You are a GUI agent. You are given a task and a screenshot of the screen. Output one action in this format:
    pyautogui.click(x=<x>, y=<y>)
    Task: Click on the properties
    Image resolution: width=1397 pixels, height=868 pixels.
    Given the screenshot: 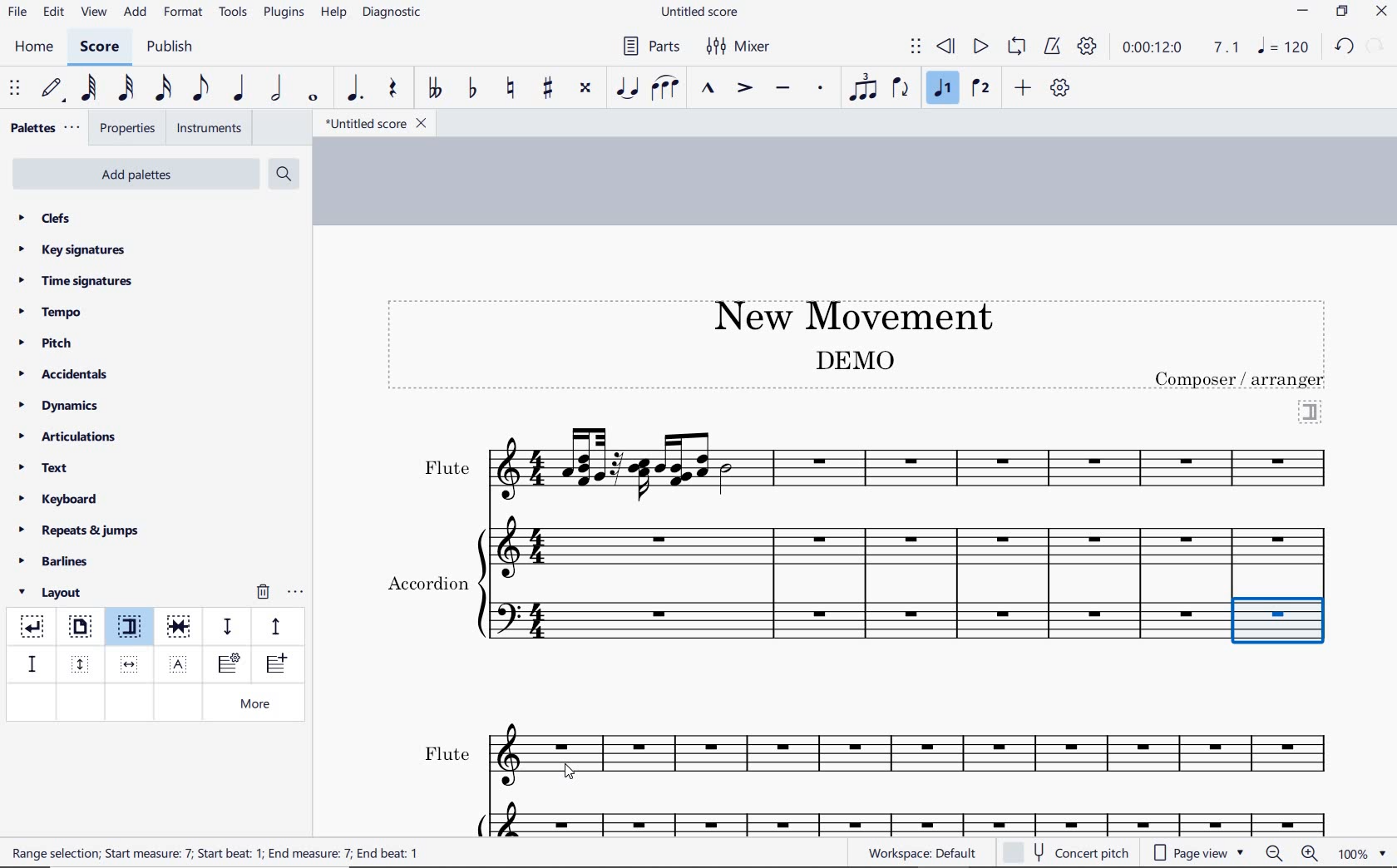 What is the action you would take?
    pyautogui.click(x=129, y=130)
    